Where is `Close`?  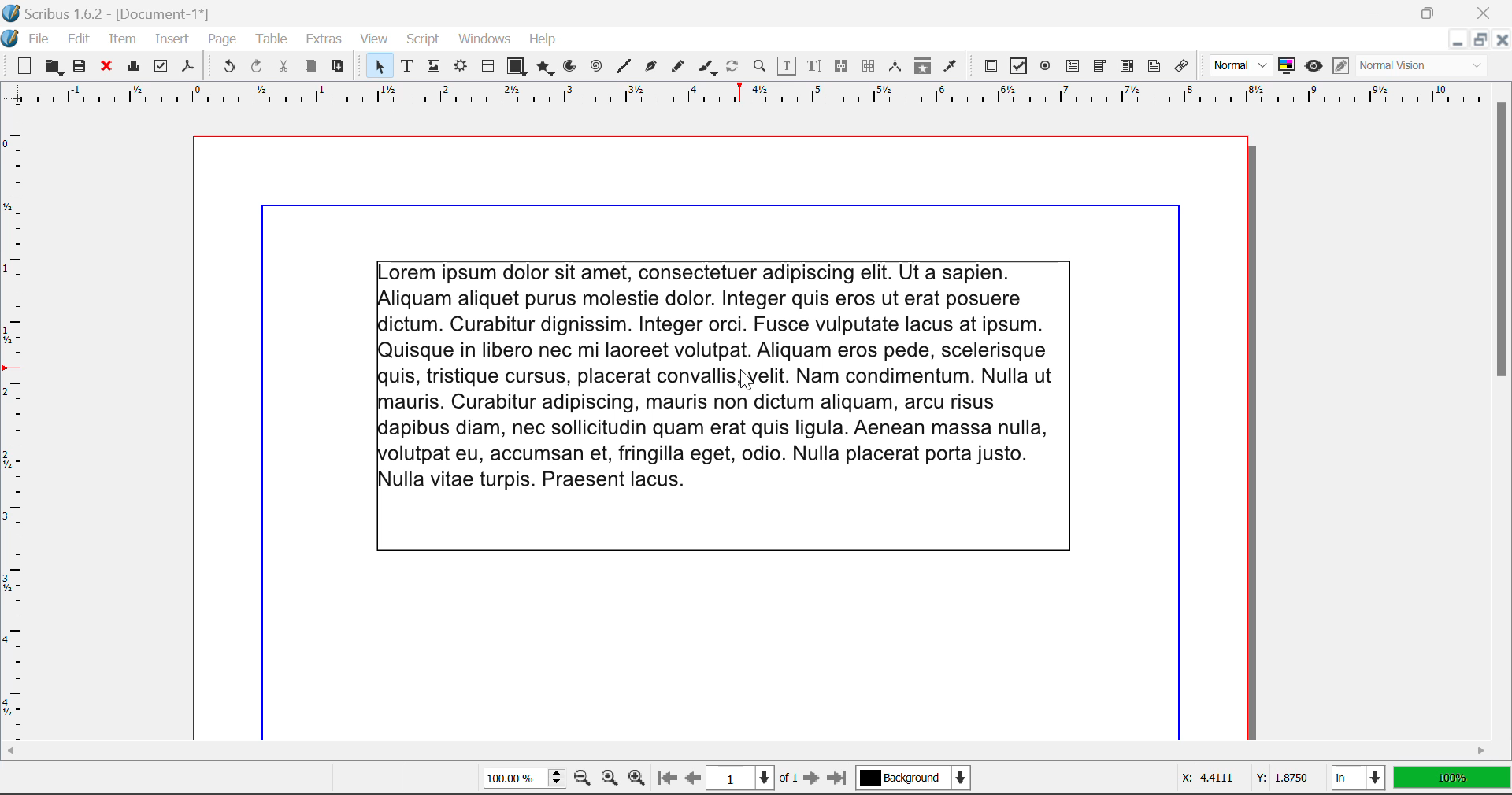 Close is located at coordinates (1487, 11).